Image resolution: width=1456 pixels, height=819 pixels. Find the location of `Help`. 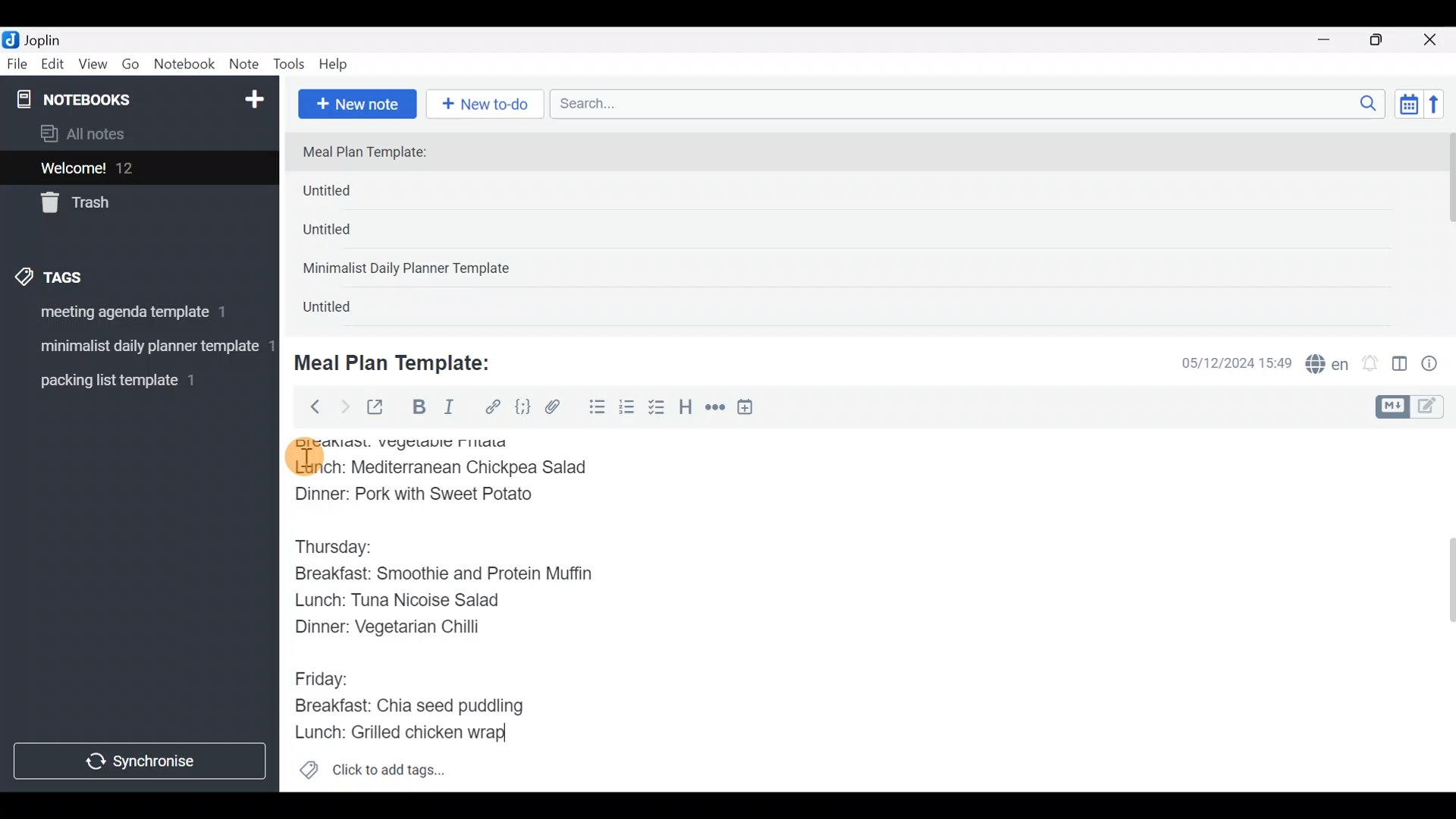

Help is located at coordinates (339, 61).